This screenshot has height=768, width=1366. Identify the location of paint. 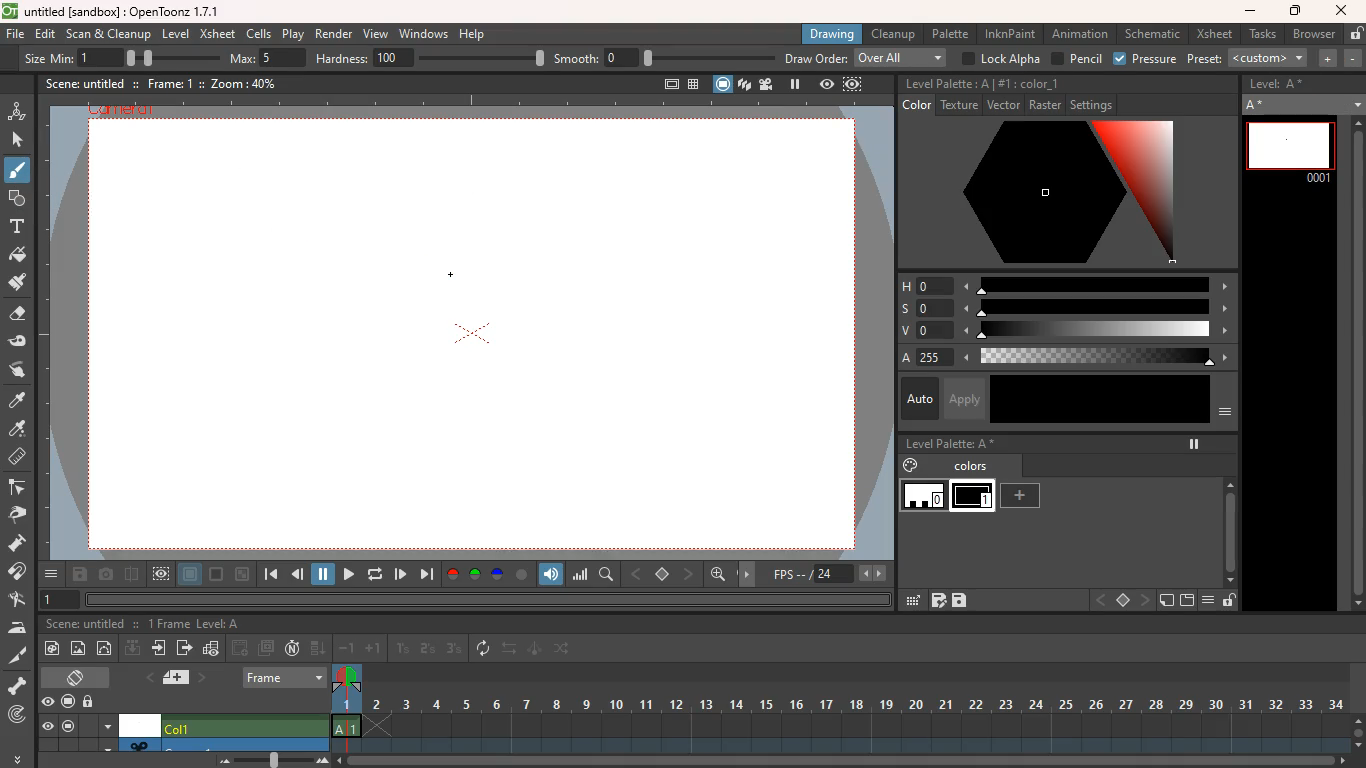
(55, 648).